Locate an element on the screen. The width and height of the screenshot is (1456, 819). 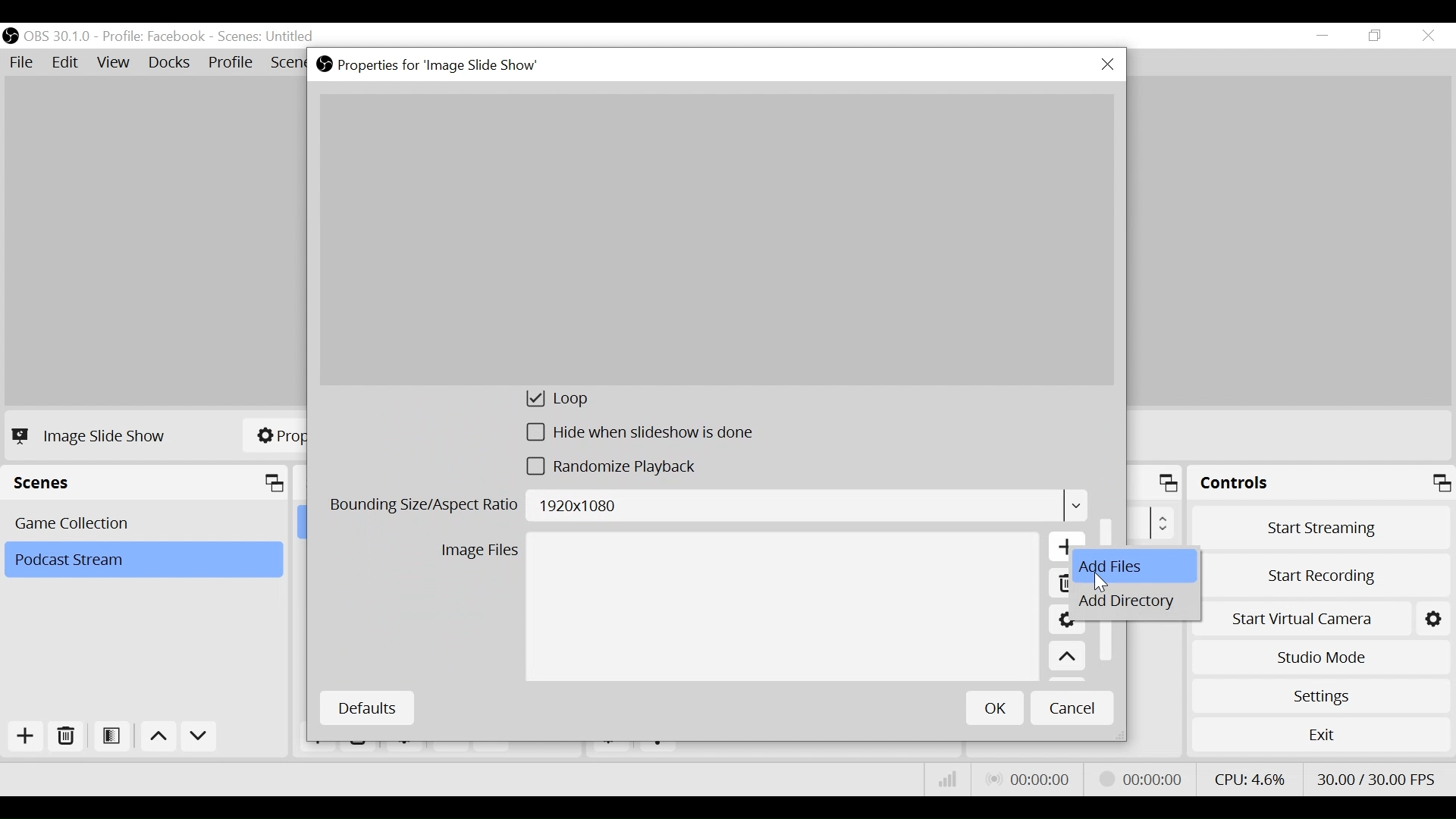
Defaults is located at coordinates (366, 708).